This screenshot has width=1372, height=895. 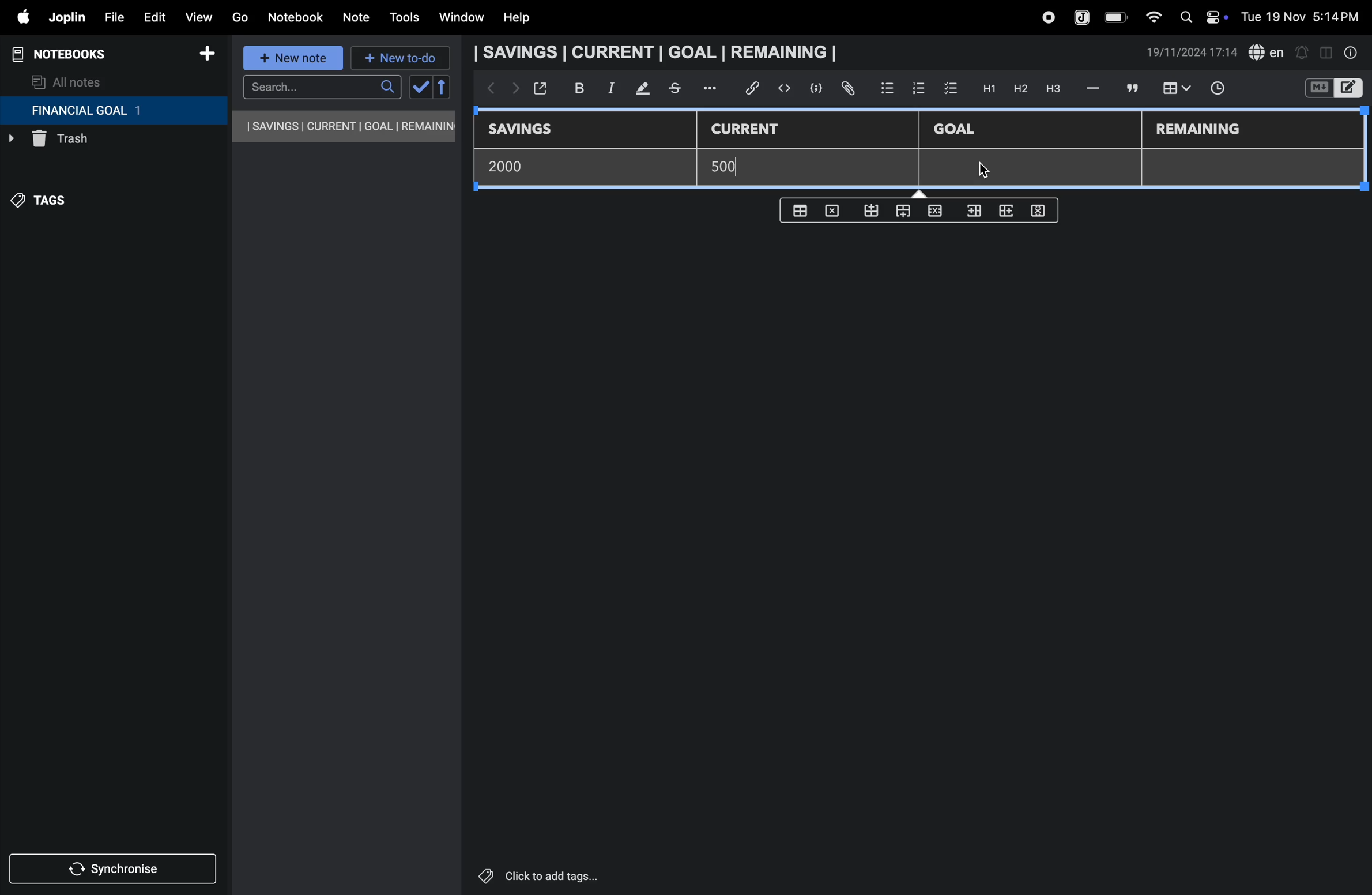 I want to click on apple menu, so click(x=17, y=17).